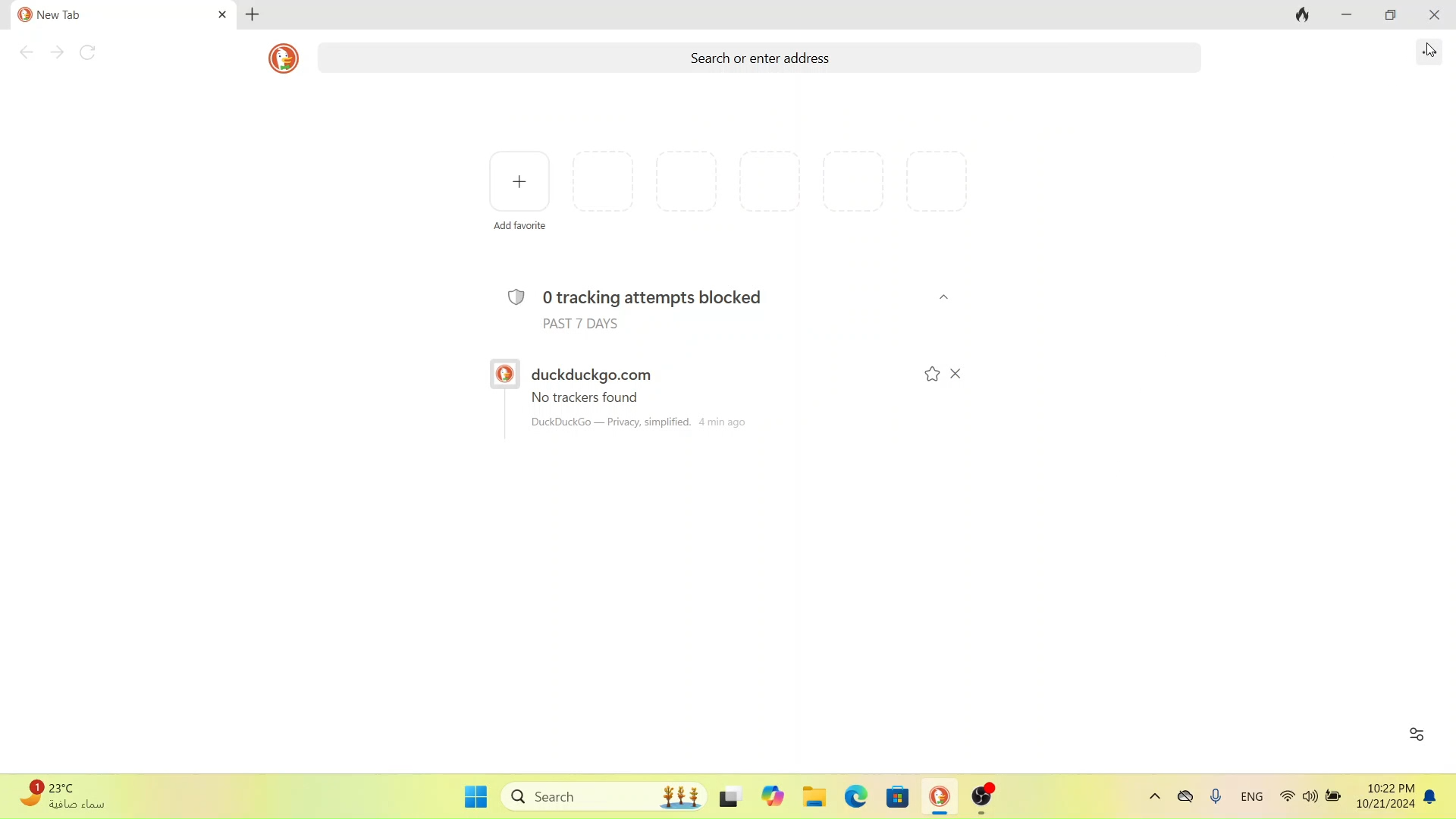 The width and height of the screenshot is (1456, 819). Describe the element at coordinates (256, 14) in the screenshot. I see `new tab` at that location.